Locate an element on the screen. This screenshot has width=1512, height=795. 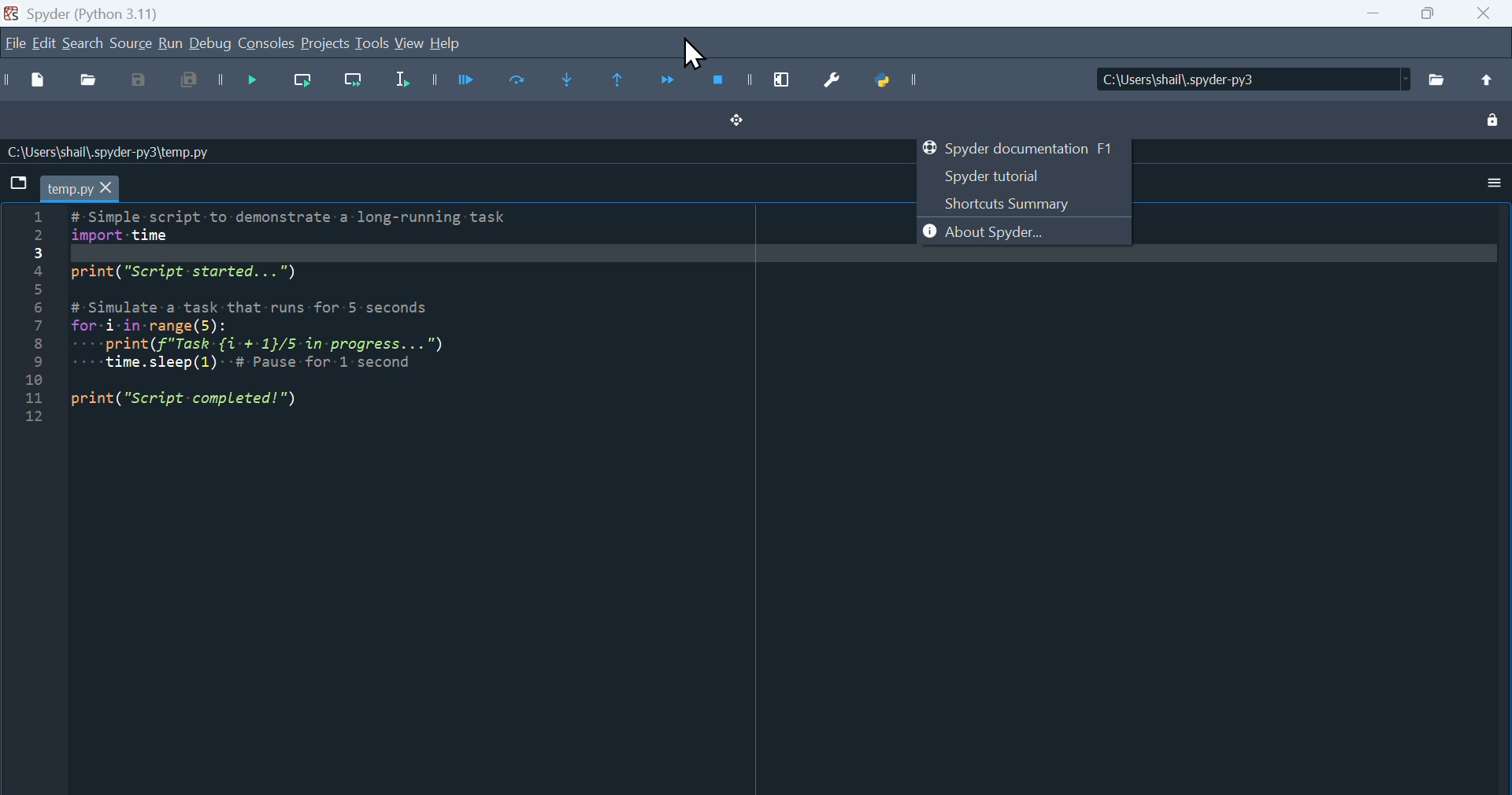
File is located at coordinates (16, 40).